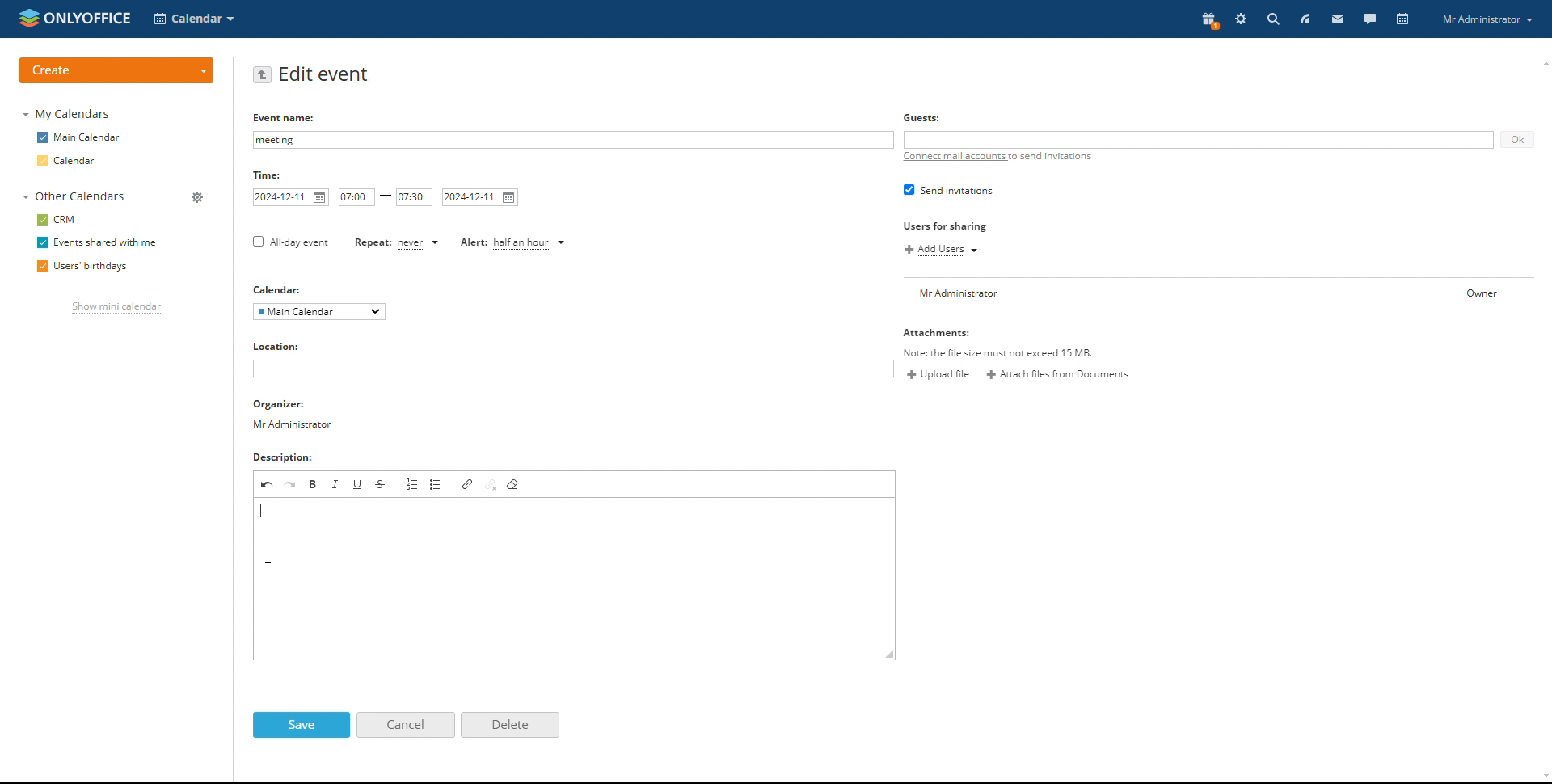  I want to click on link, so click(468, 483).